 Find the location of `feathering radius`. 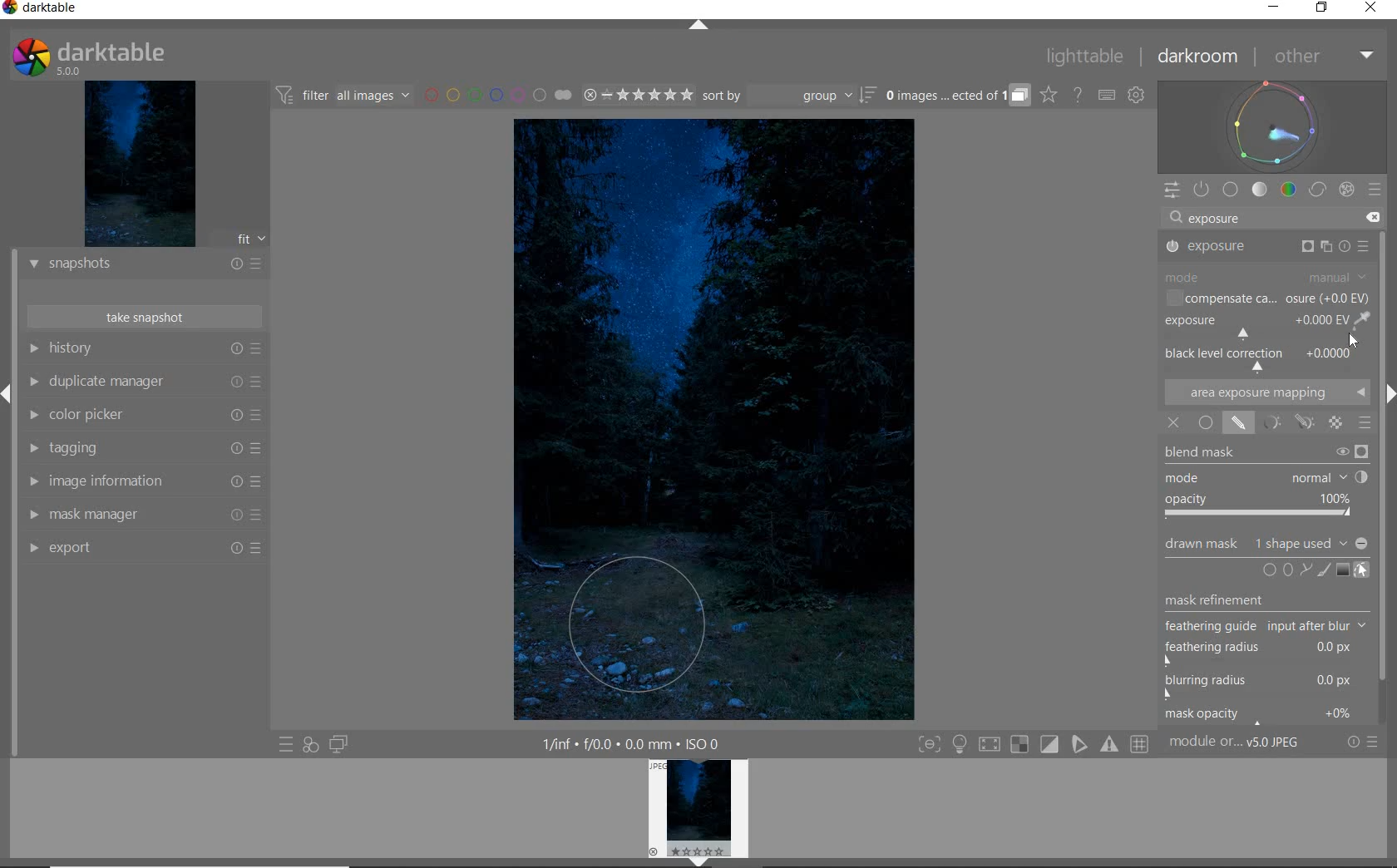

feathering radius is located at coordinates (1265, 653).